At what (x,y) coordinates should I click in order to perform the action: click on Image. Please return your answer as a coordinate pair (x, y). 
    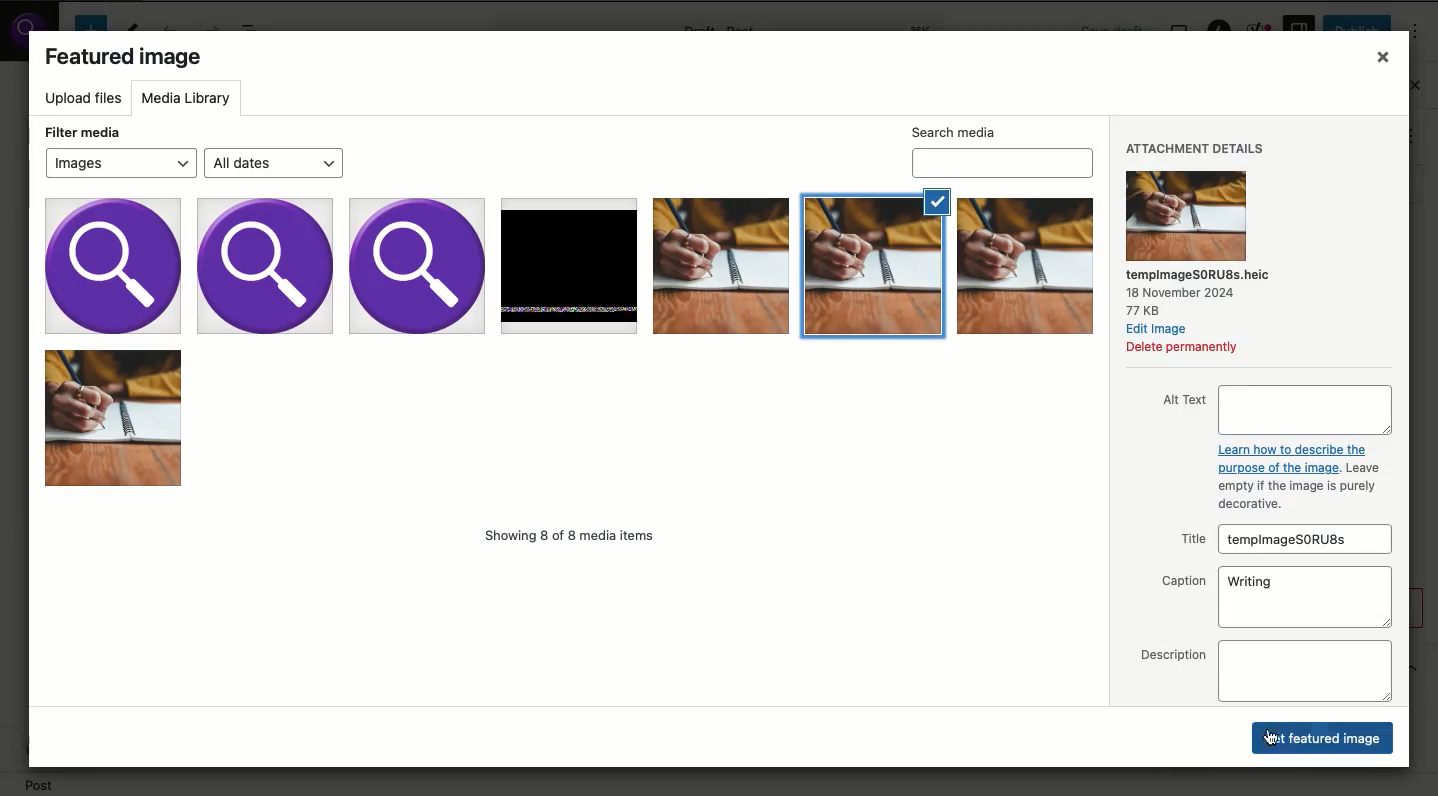
    Looking at the image, I should click on (417, 266).